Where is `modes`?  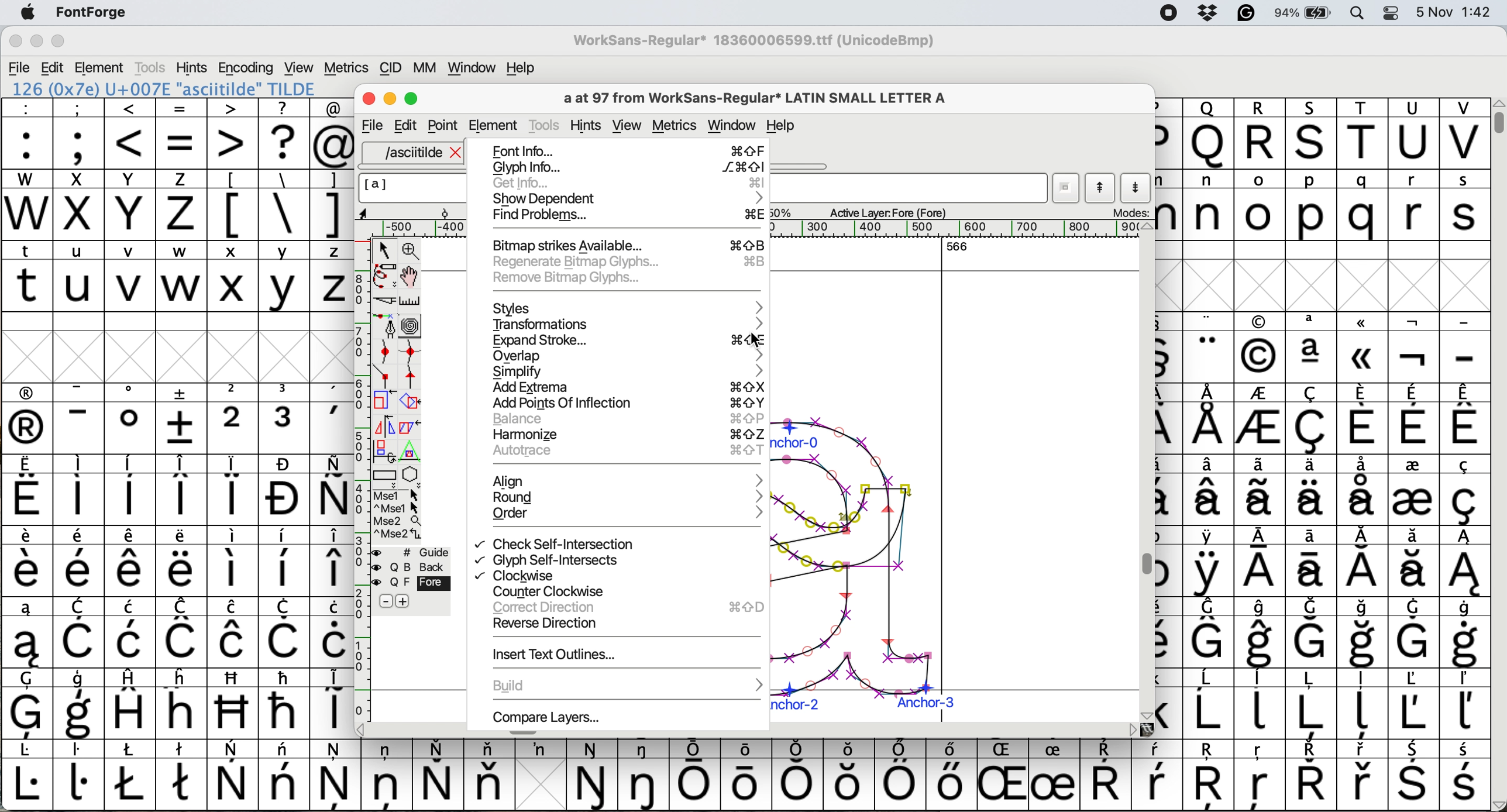 modes is located at coordinates (1130, 212).